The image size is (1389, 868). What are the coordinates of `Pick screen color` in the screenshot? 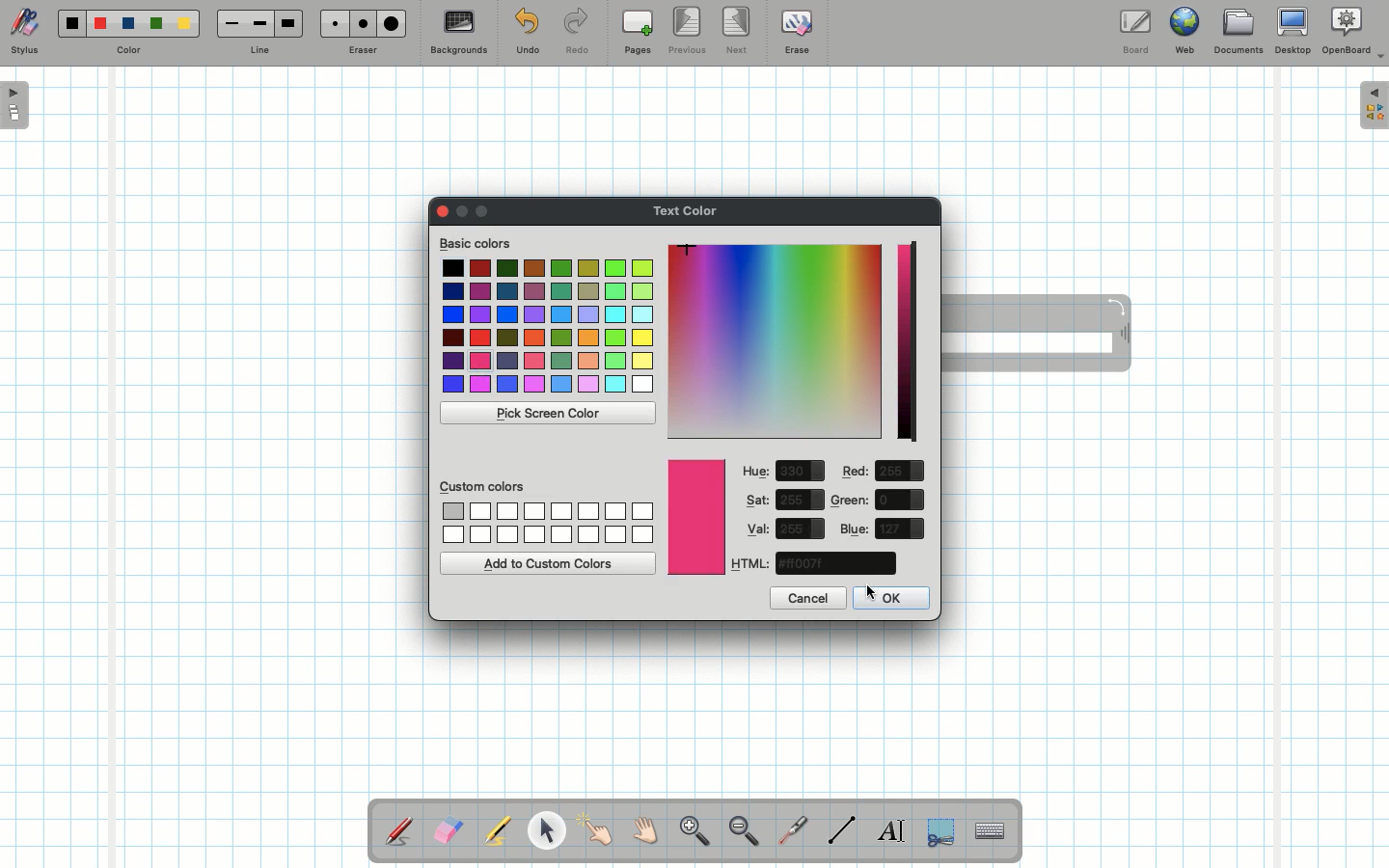 It's located at (549, 414).